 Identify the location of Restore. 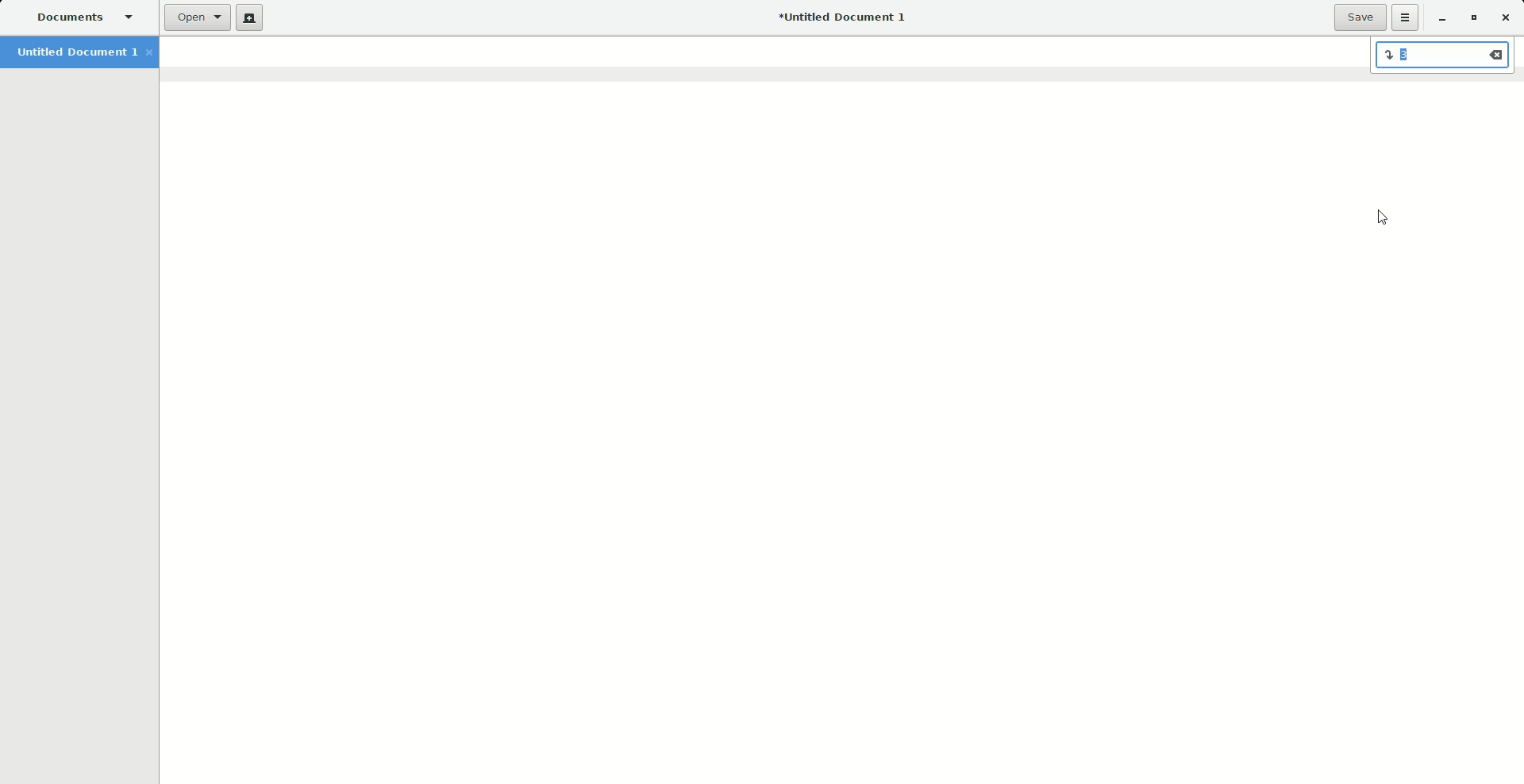
(1472, 18).